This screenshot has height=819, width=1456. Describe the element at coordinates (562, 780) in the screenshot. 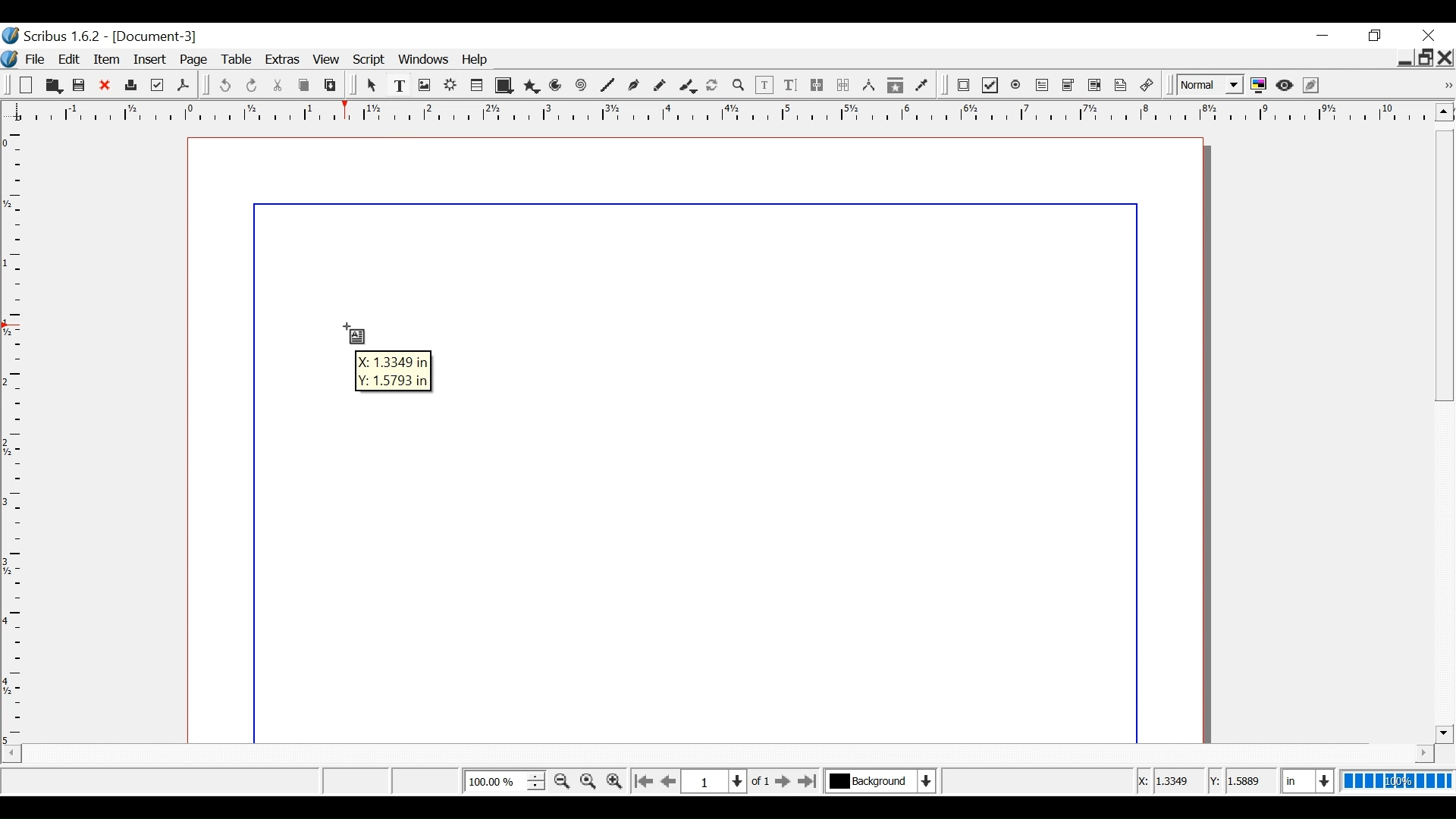

I see `Zoom out` at that location.